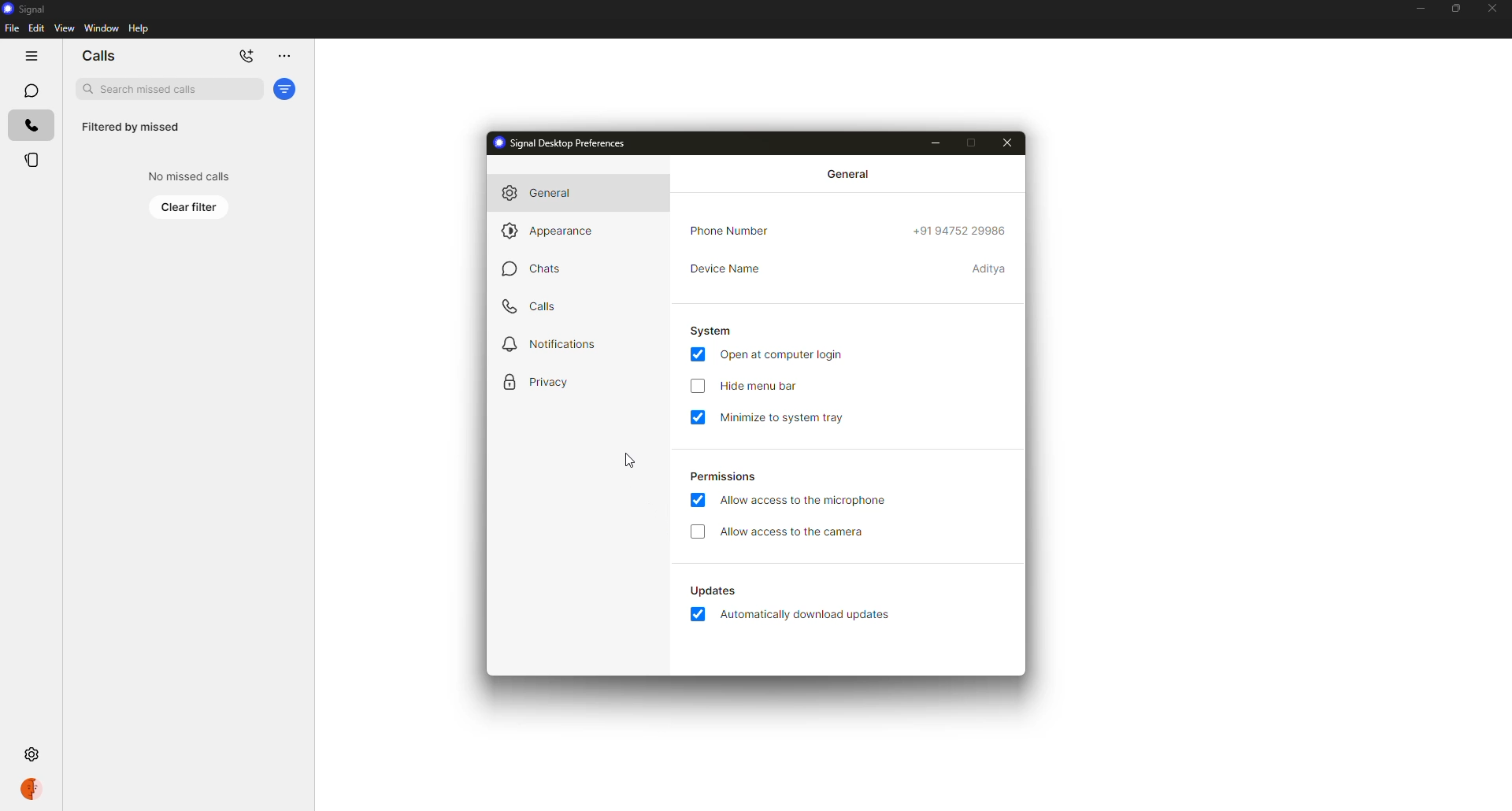 This screenshot has width=1512, height=811. What do you see at coordinates (190, 206) in the screenshot?
I see `clear filter` at bounding box center [190, 206].